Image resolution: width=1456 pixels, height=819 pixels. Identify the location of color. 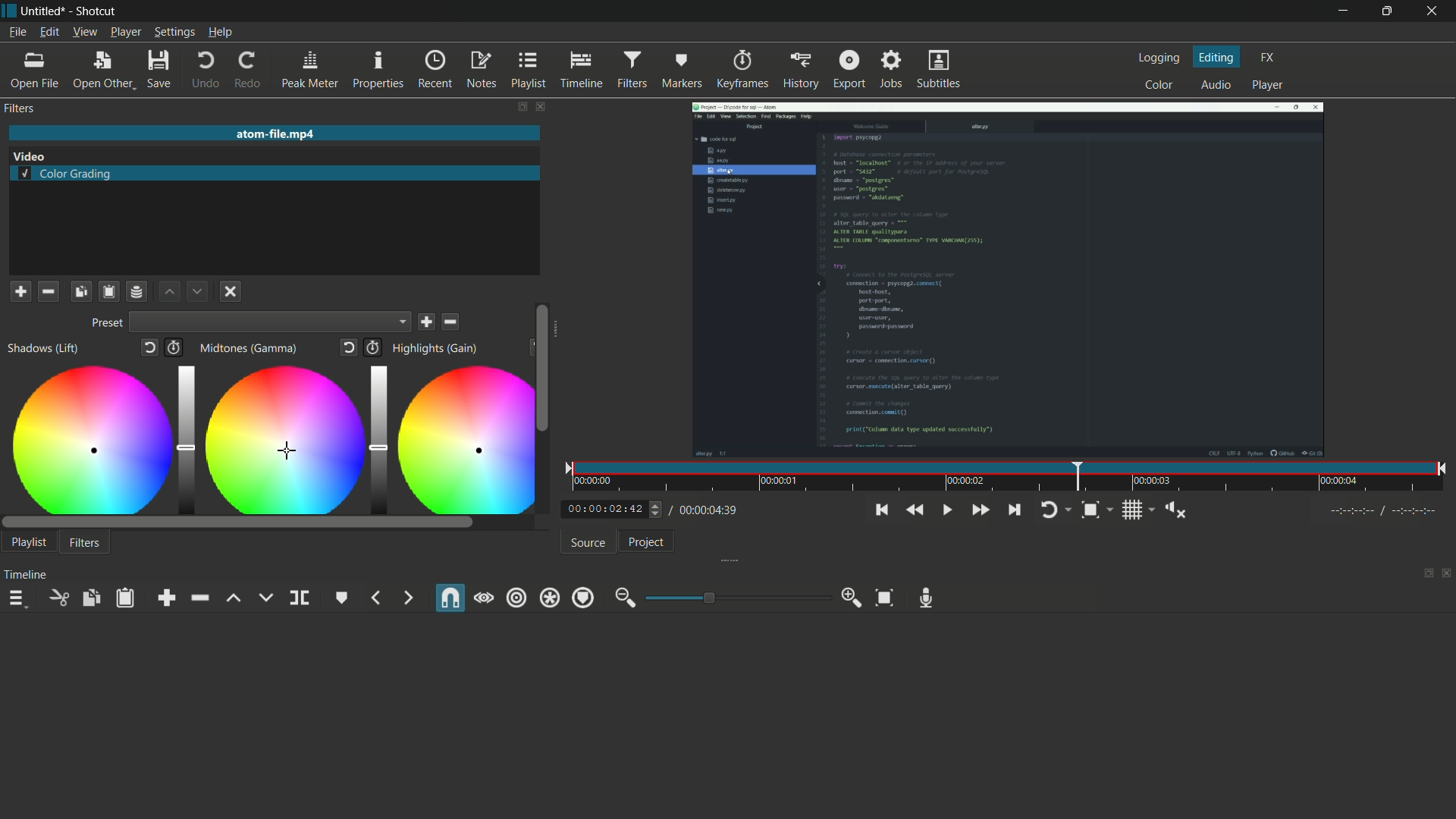
(1160, 84).